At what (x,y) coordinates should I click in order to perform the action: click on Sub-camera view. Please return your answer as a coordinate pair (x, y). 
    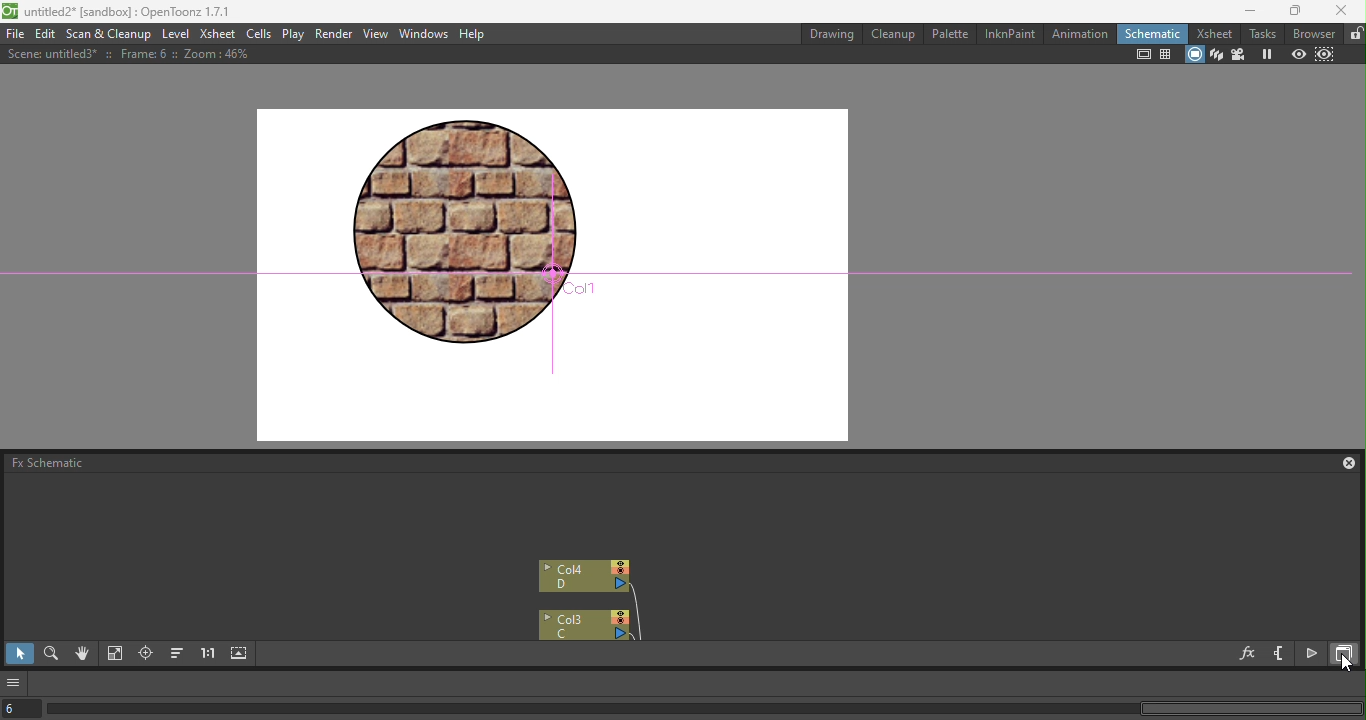
    Looking at the image, I should click on (1327, 55).